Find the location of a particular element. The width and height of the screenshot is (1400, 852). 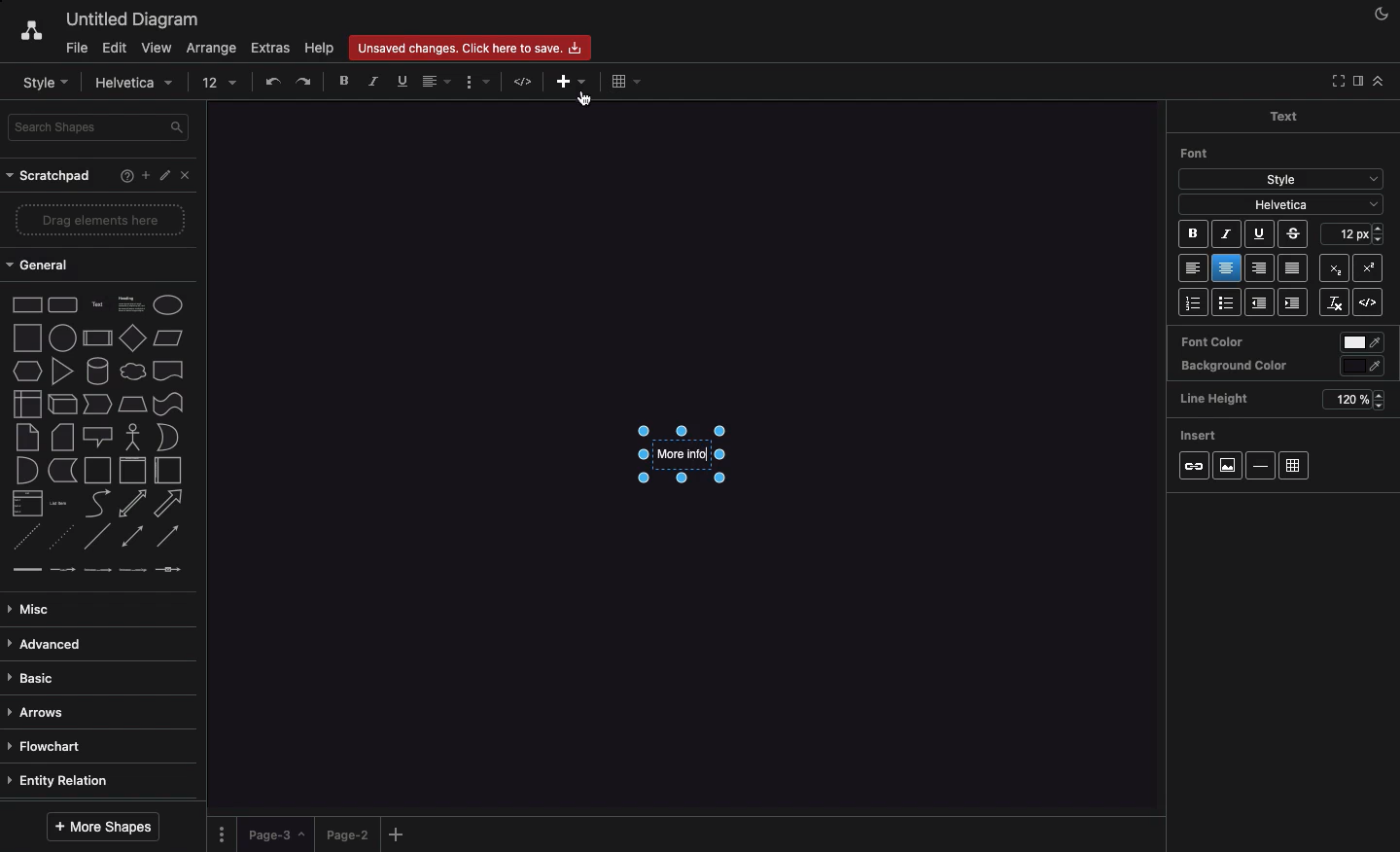

Collapse is located at coordinates (1335, 82).